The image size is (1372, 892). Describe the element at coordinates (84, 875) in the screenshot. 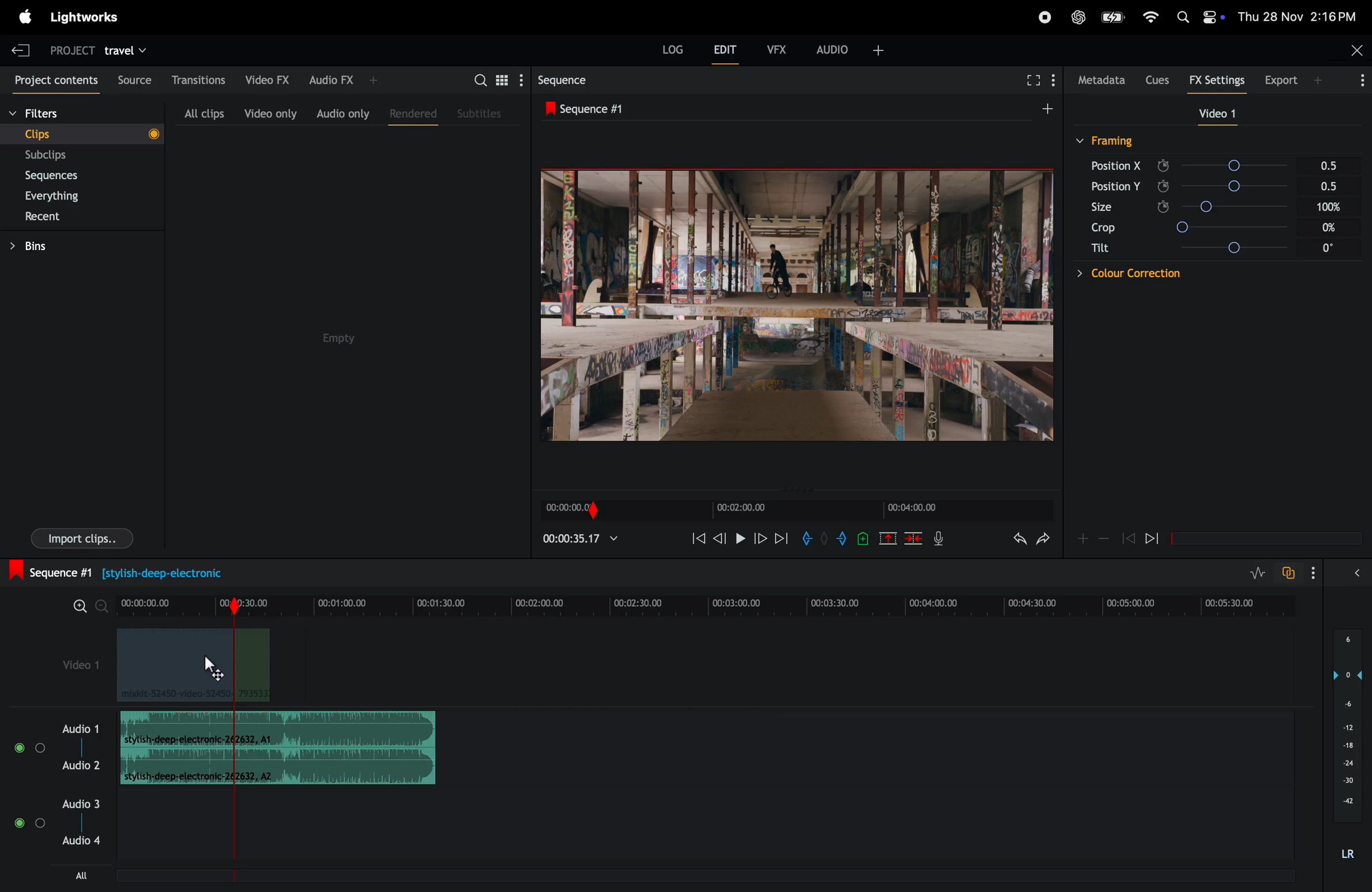

I see `all` at that location.